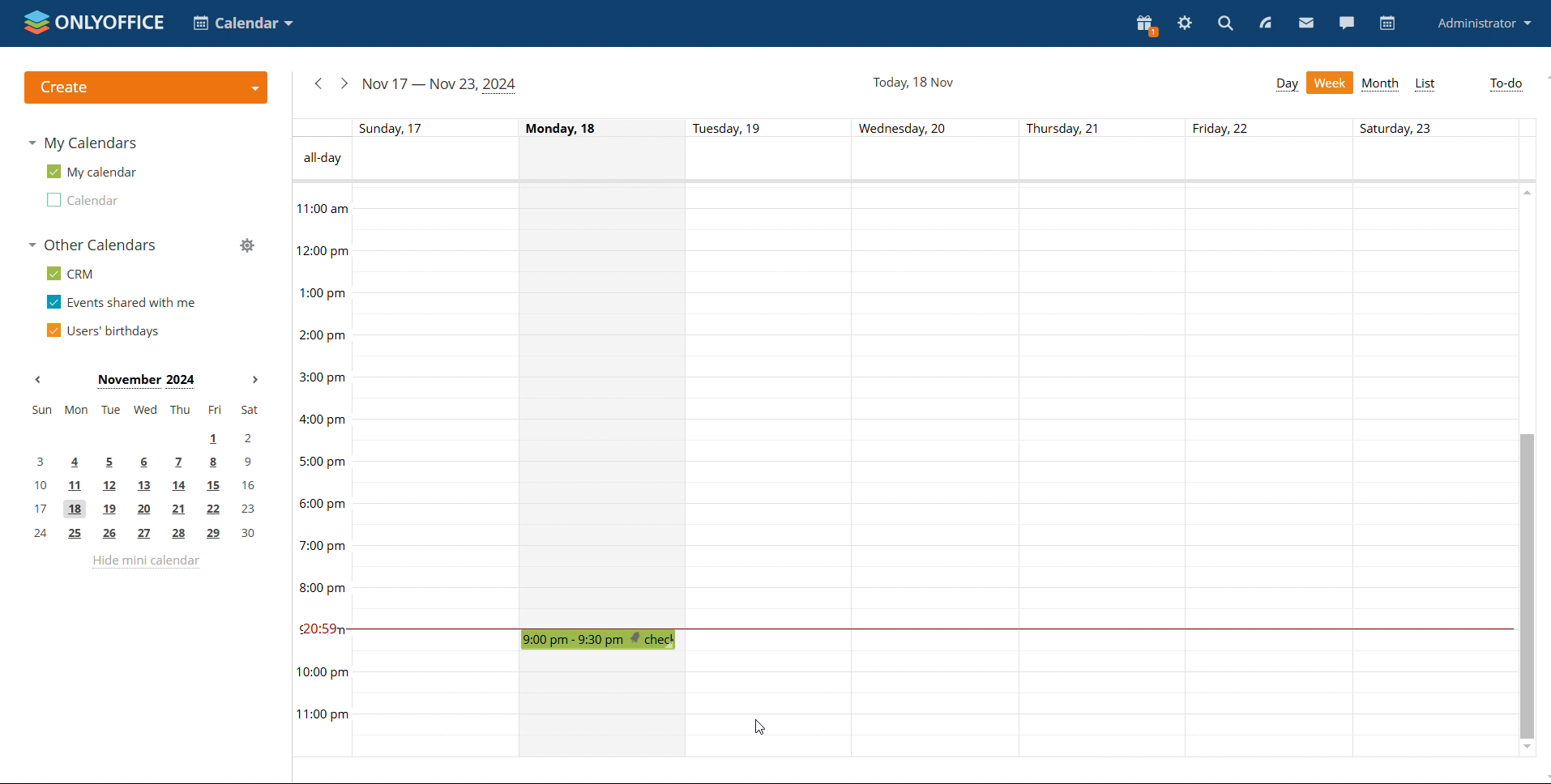 This screenshot has height=784, width=1551. Describe the element at coordinates (1387, 23) in the screenshot. I see `calendar` at that location.